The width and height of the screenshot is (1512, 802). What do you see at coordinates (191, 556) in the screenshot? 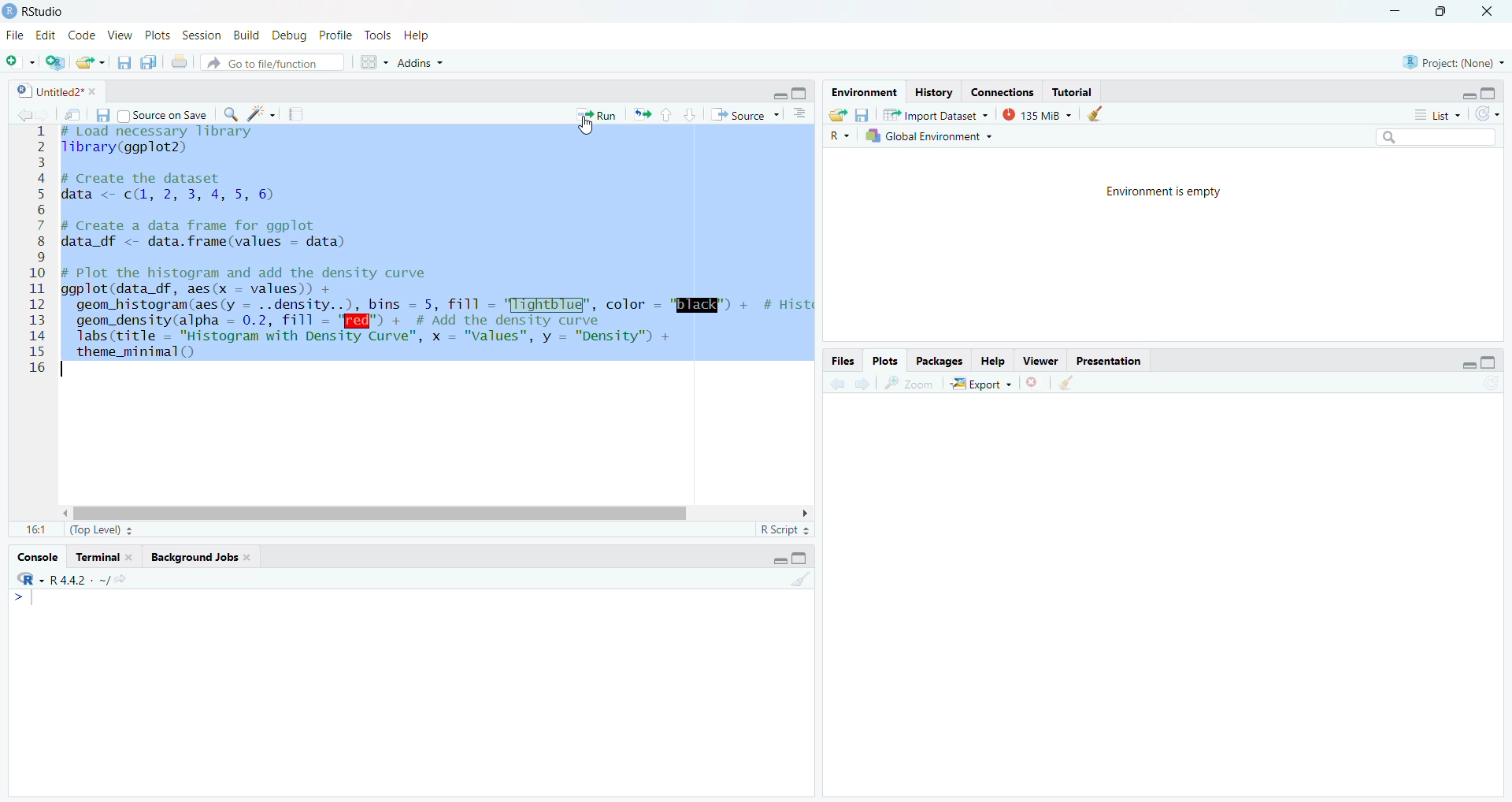
I see `Background Jobs` at bounding box center [191, 556].